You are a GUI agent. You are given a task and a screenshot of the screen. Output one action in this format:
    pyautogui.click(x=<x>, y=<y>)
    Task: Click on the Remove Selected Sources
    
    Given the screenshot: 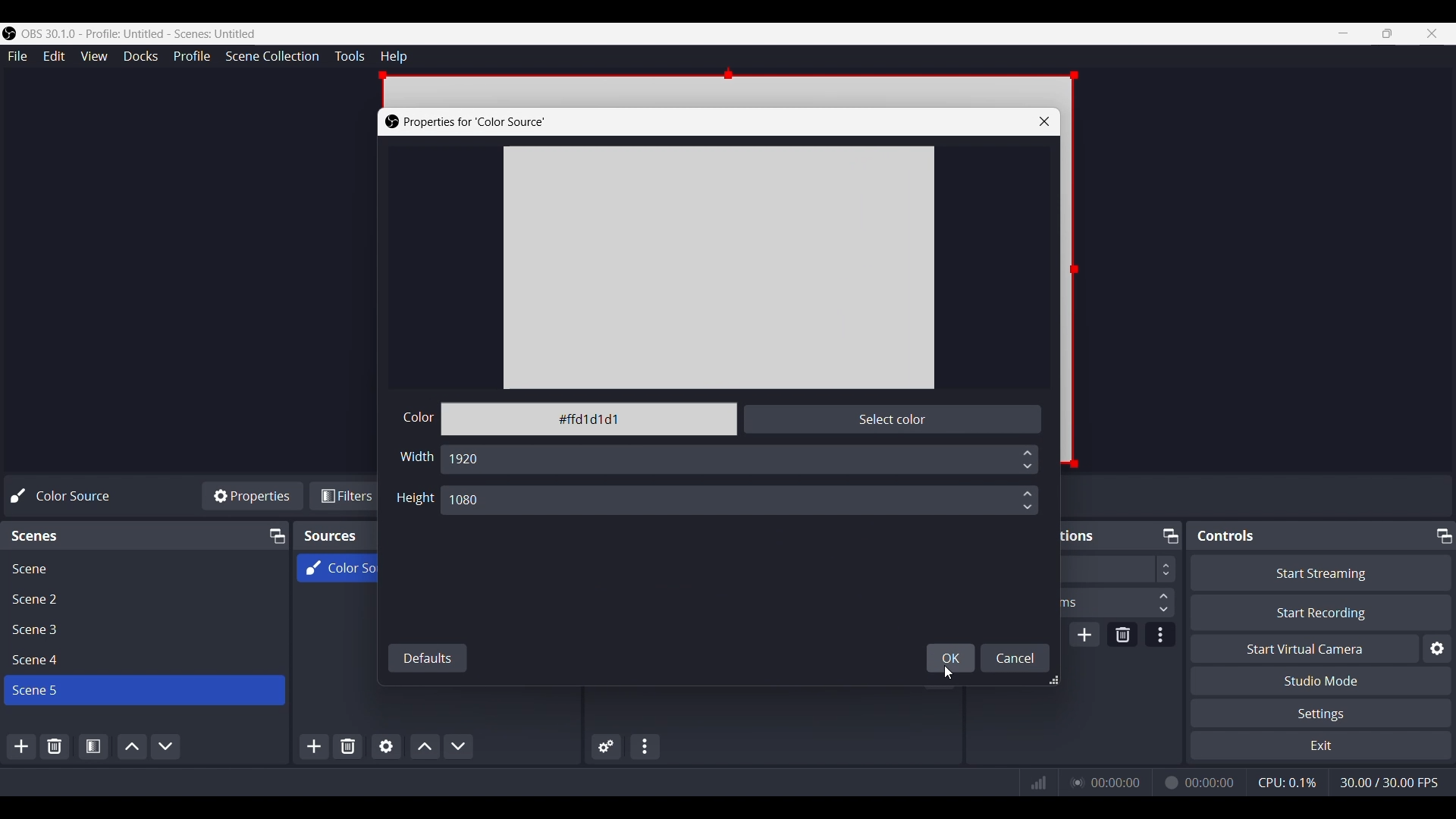 What is the action you would take?
    pyautogui.click(x=347, y=747)
    